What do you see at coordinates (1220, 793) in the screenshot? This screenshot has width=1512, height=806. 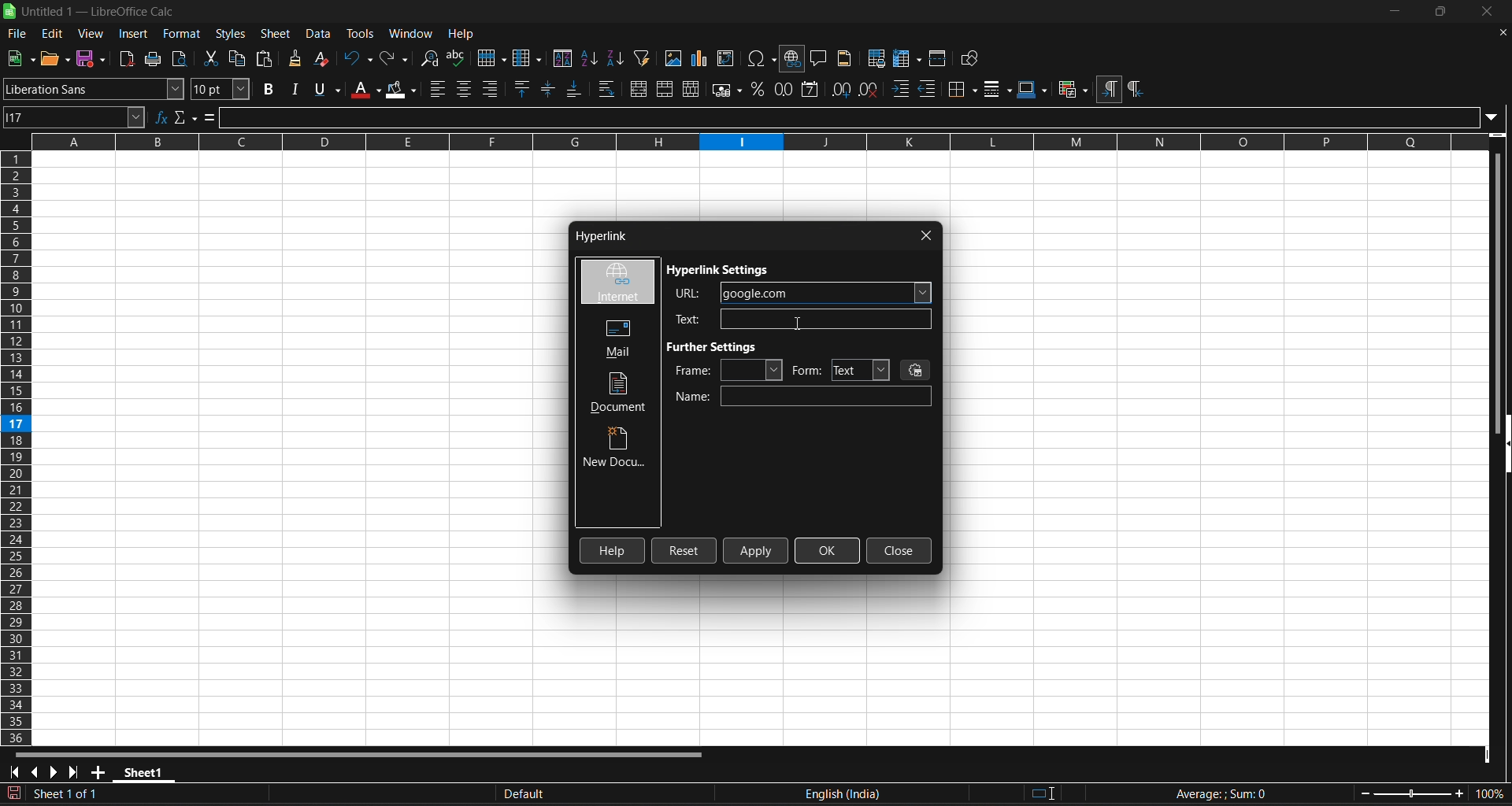 I see `formula` at bounding box center [1220, 793].